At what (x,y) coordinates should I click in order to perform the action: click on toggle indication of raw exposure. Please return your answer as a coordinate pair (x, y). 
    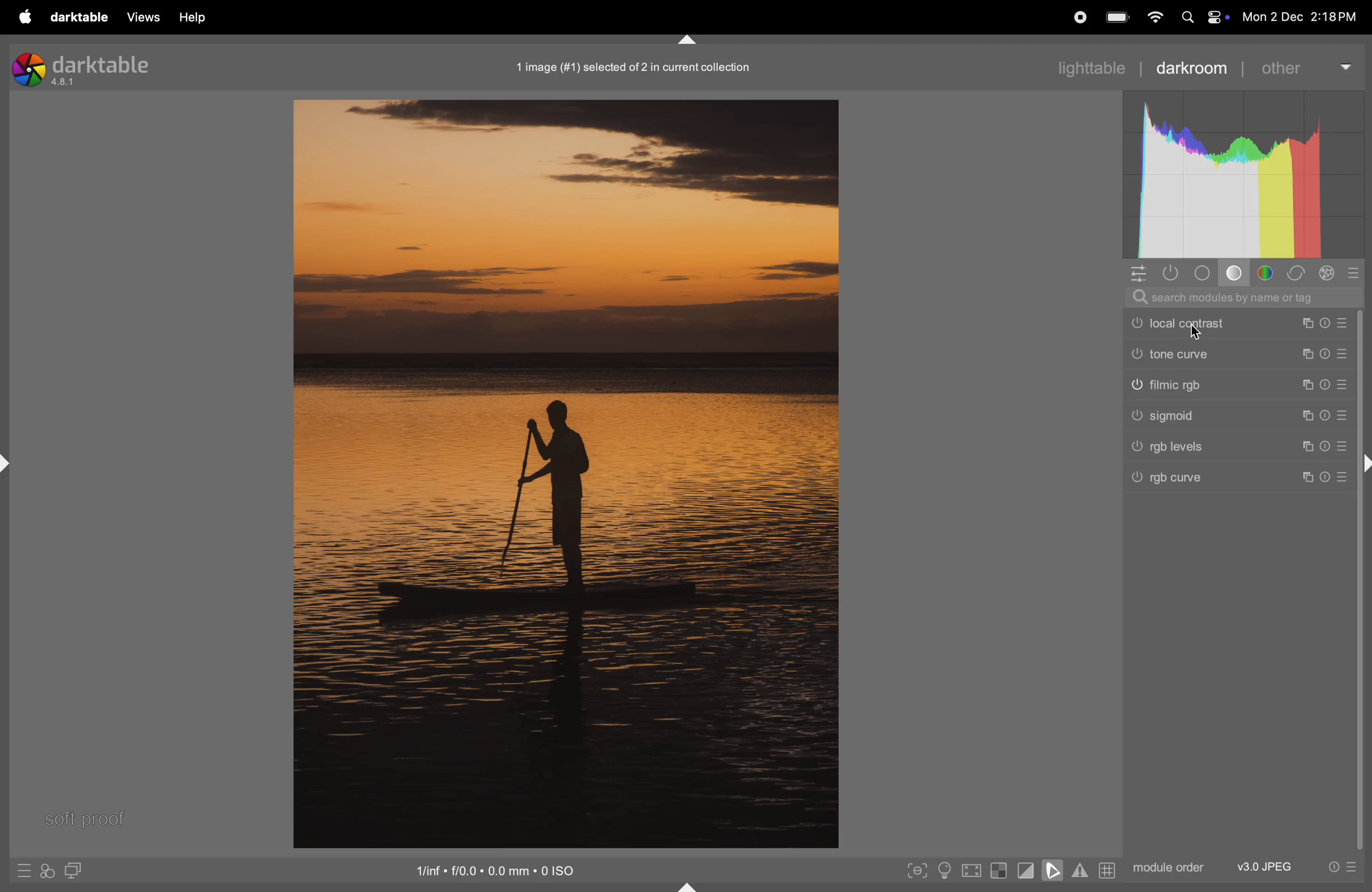
    Looking at the image, I should click on (1000, 870).